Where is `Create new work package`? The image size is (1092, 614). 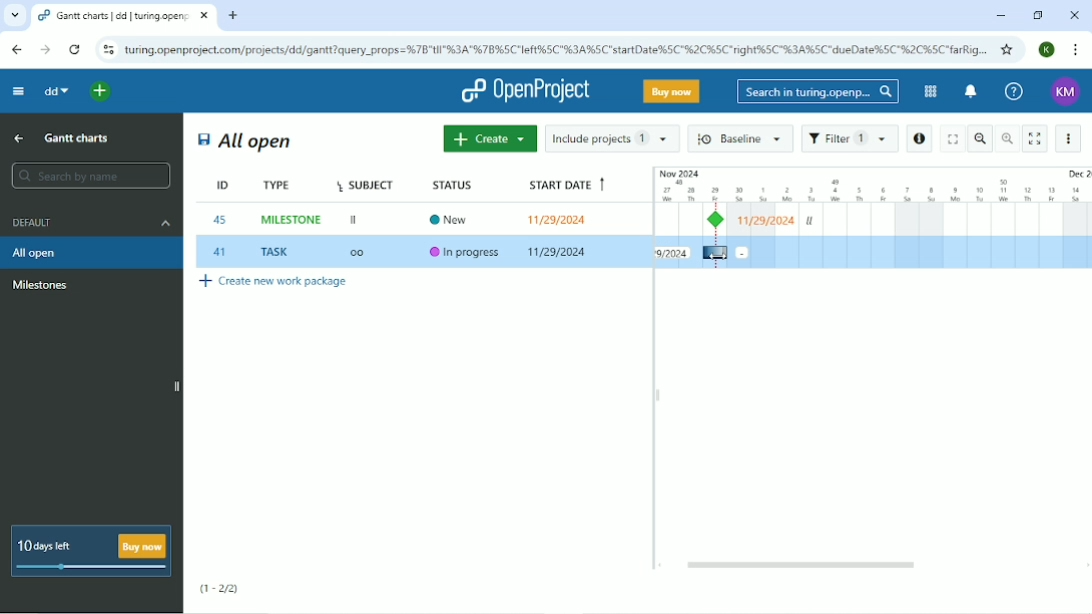 Create new work package is located at coordinates (272, 282).